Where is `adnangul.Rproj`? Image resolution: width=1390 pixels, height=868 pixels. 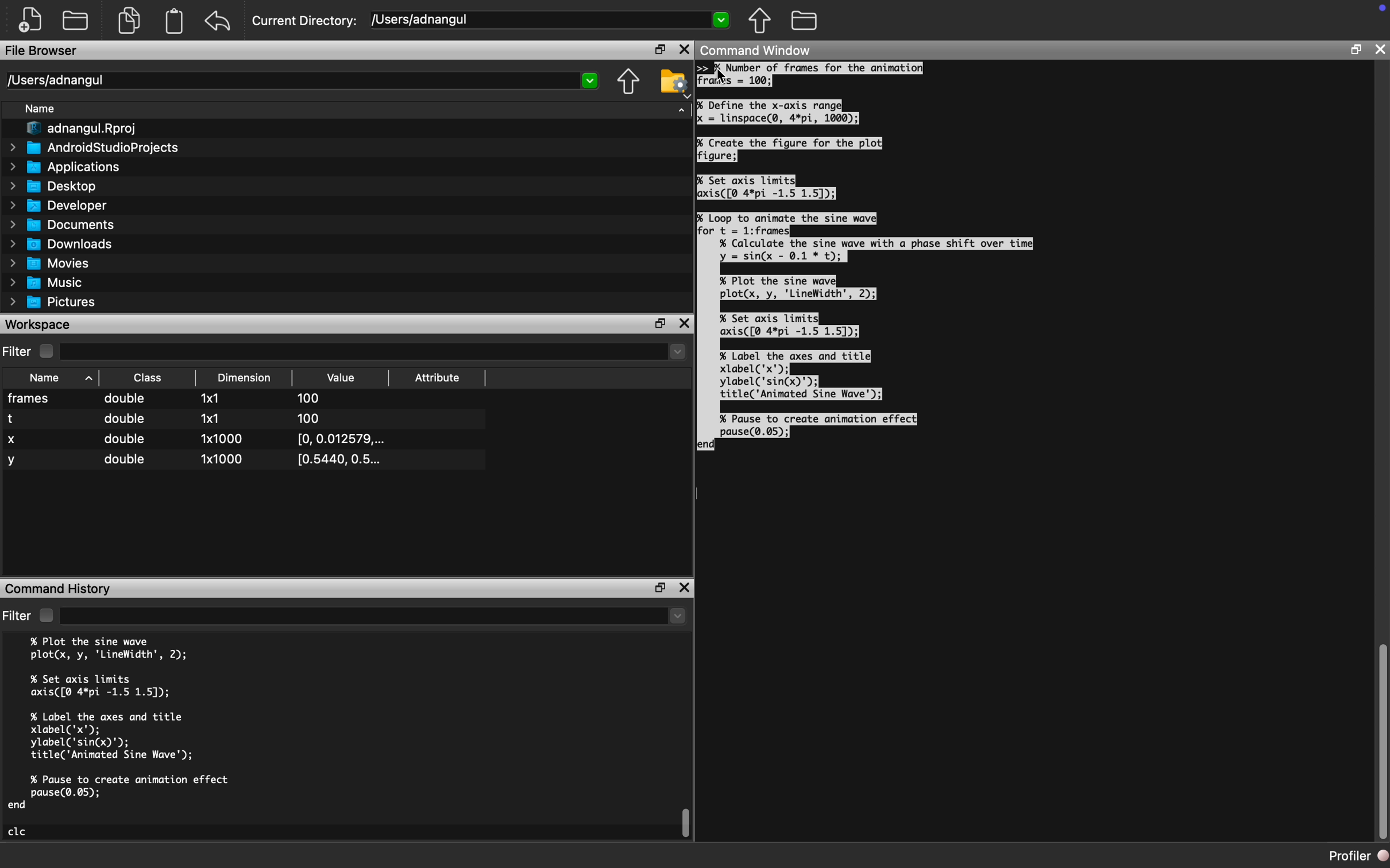
adnangul.Rproj is located at coordinates (80, 129).